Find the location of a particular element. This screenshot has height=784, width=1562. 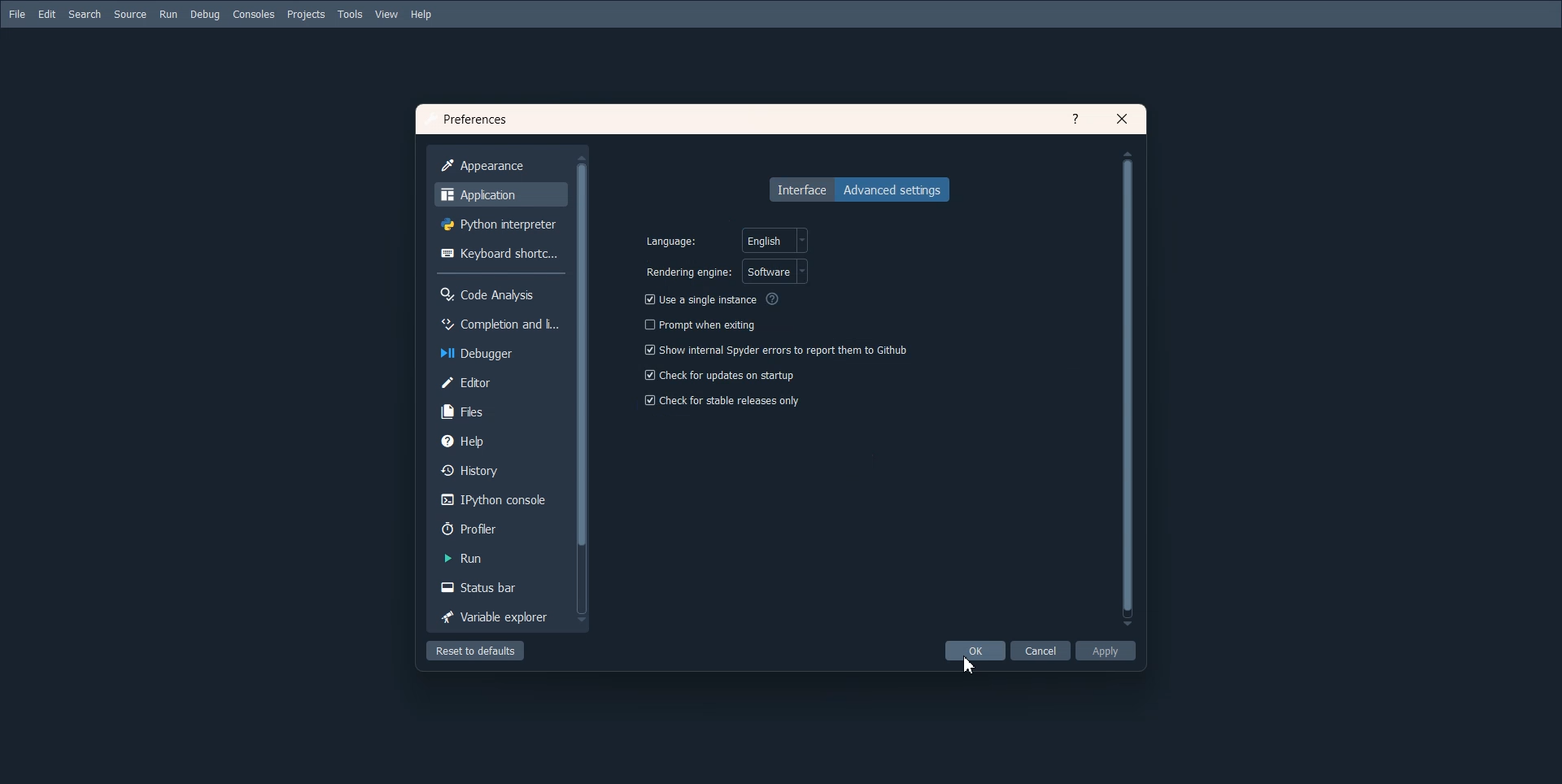

Application is located at coordinates (500, 194).